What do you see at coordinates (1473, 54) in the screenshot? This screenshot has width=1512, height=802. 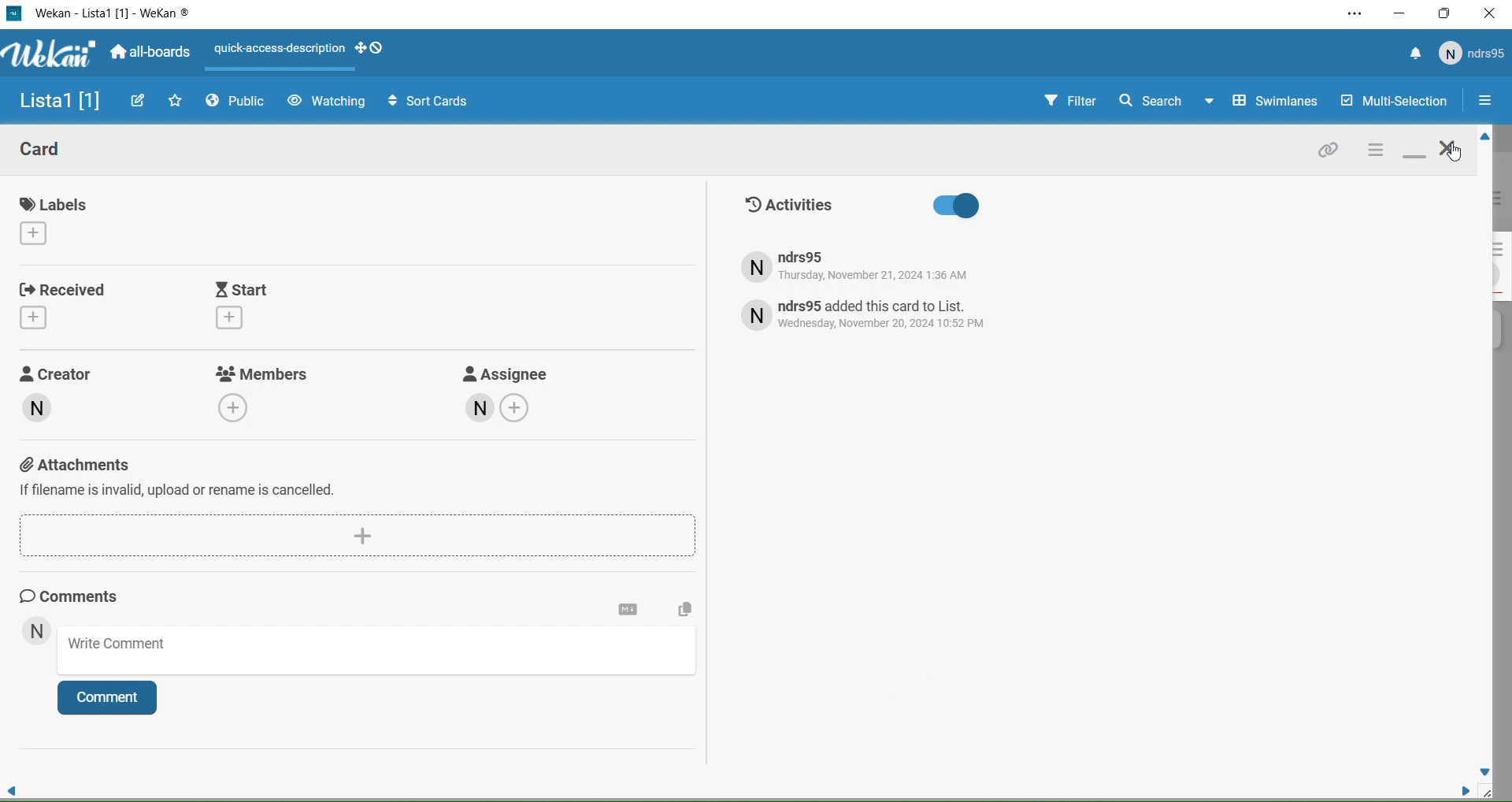 I see `User` at bounding box center [1473, 54].